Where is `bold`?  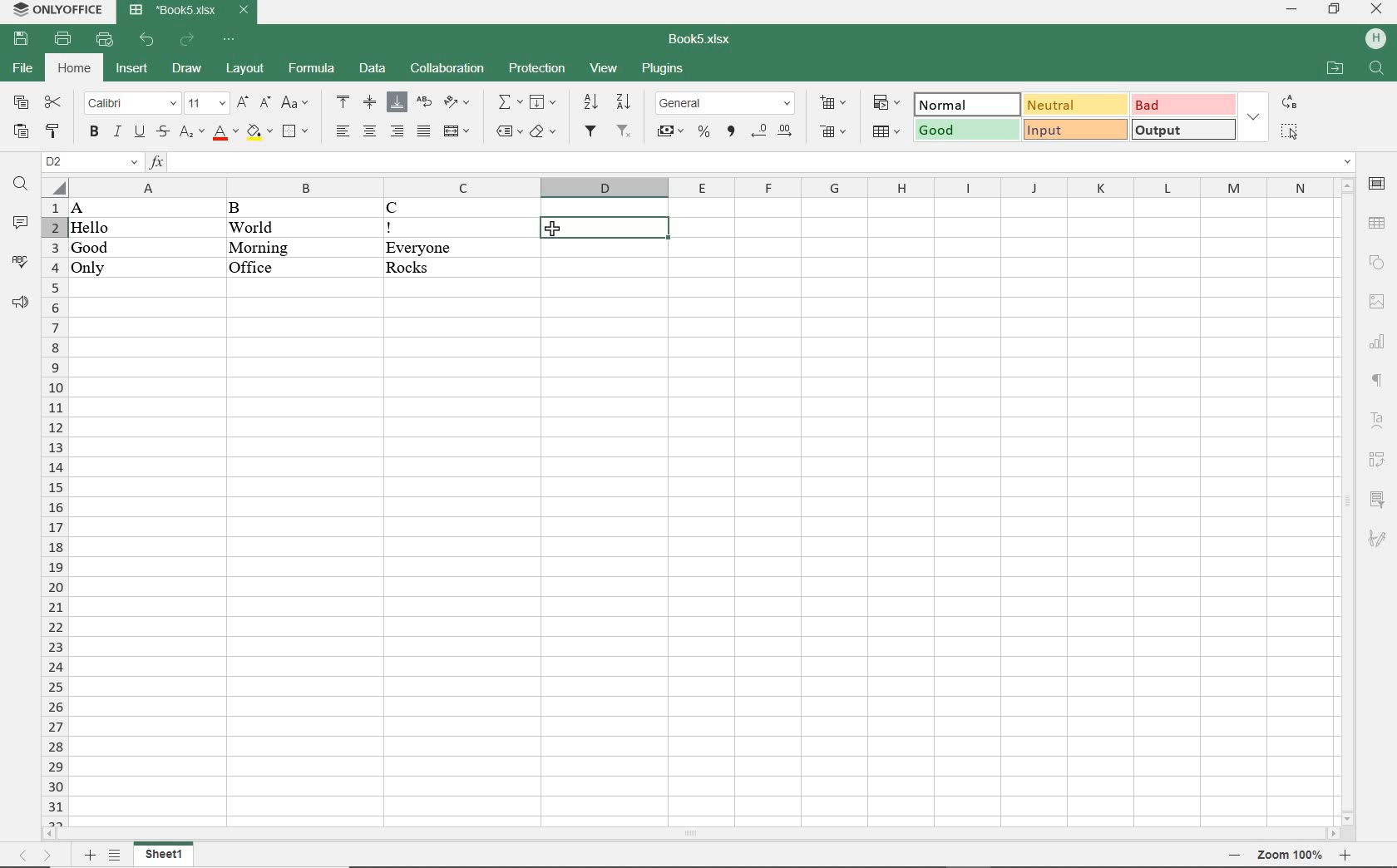 bold is located at coordinates (93, 131).